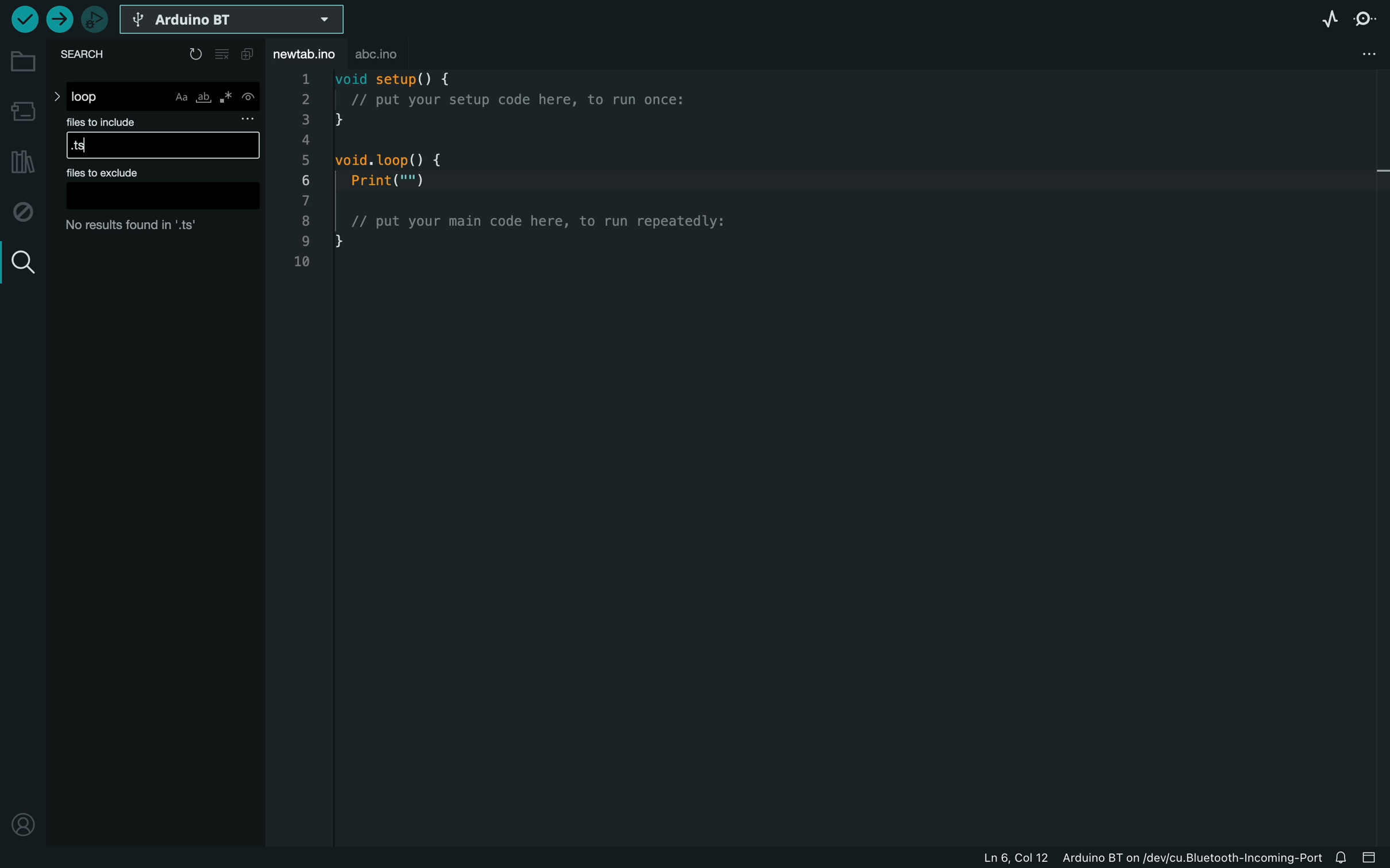 The width and height of the screenshot is (1390, 868). Describe the element at coordinates (96, 21) in the screenshot. I see `debugger` at that location.